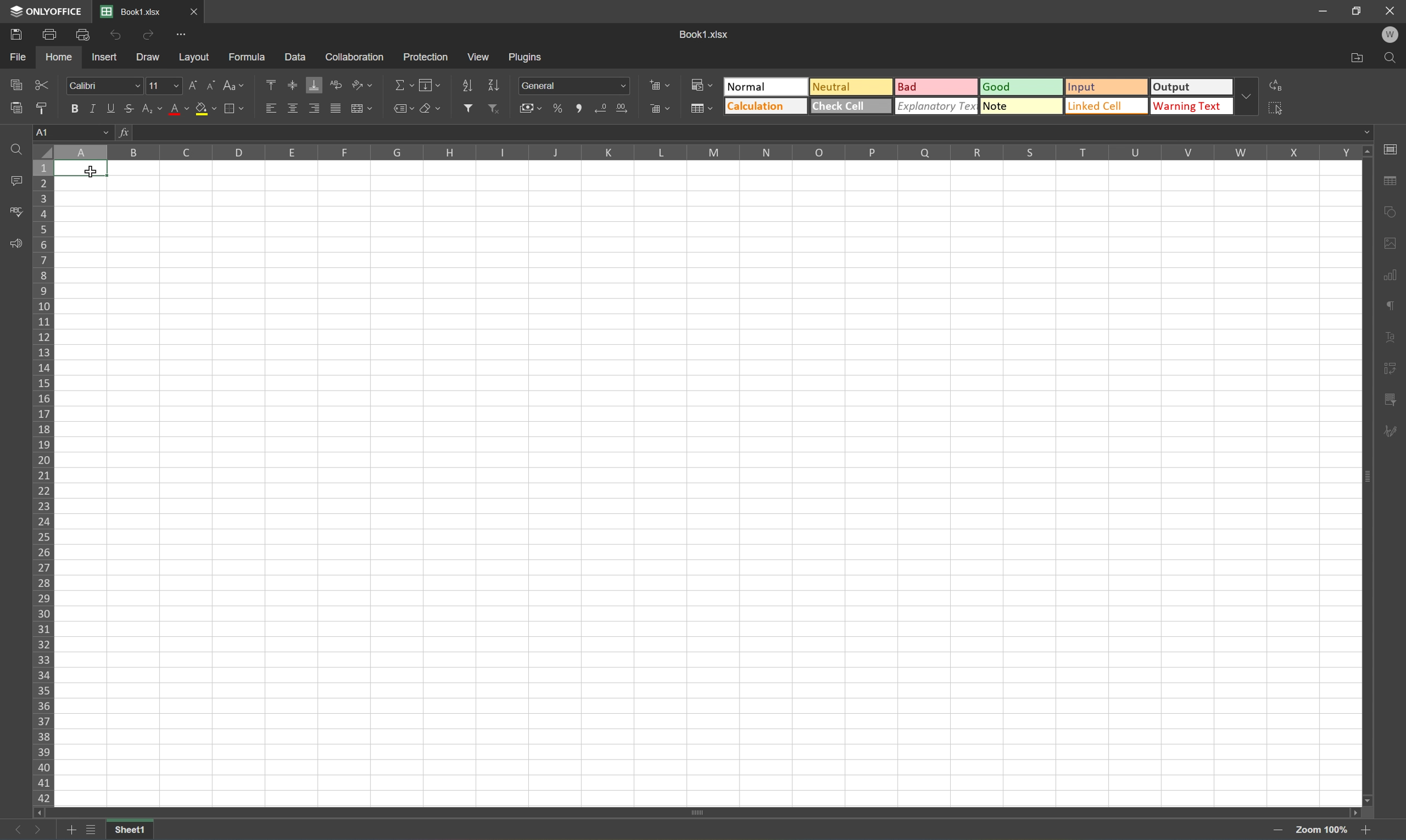 The width and height of the screenshot is (1406, 840). I want to click on Good, so click(1023, 86).